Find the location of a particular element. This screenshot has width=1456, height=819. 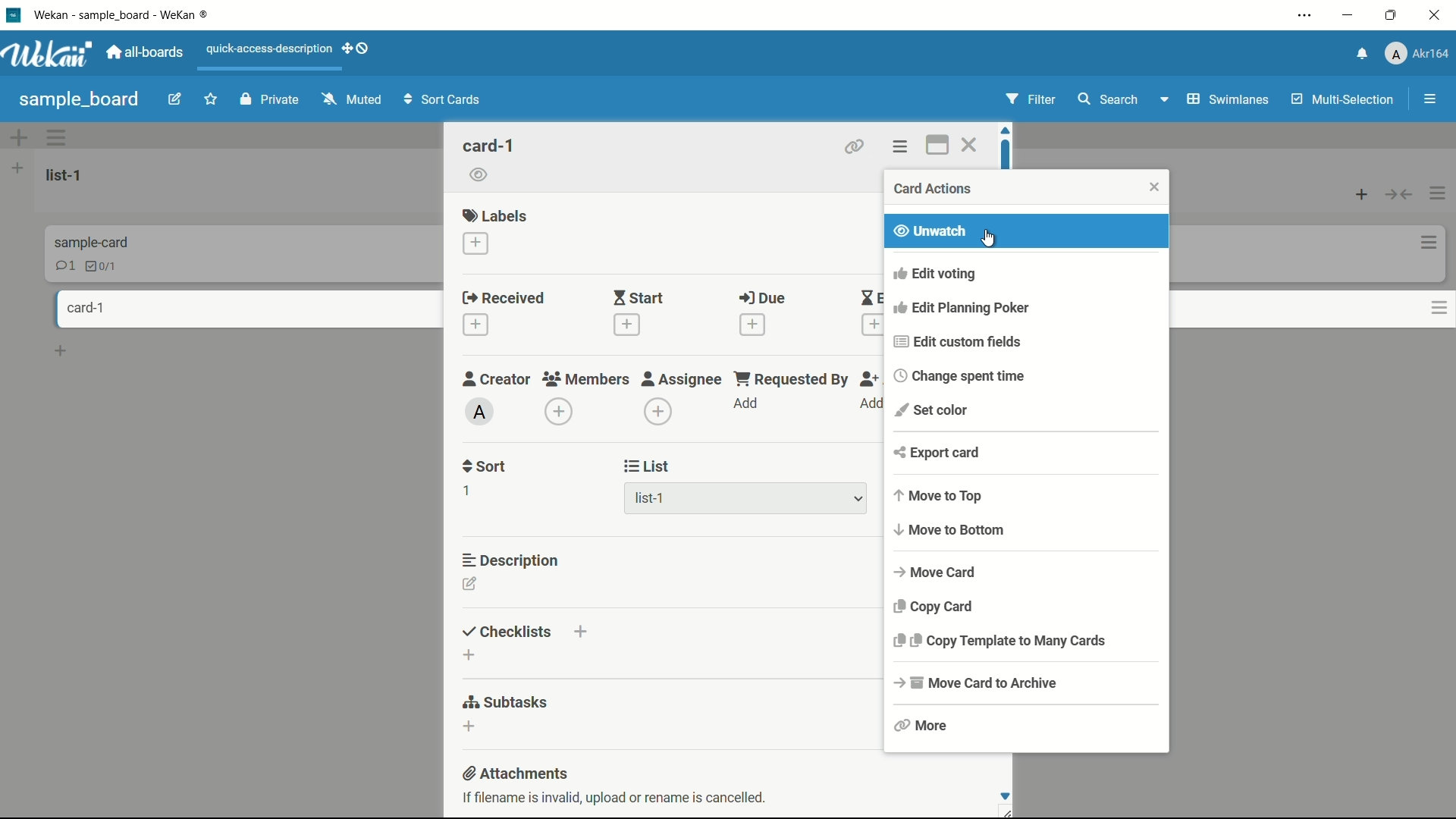

set color is located at coordinates (938, 410).